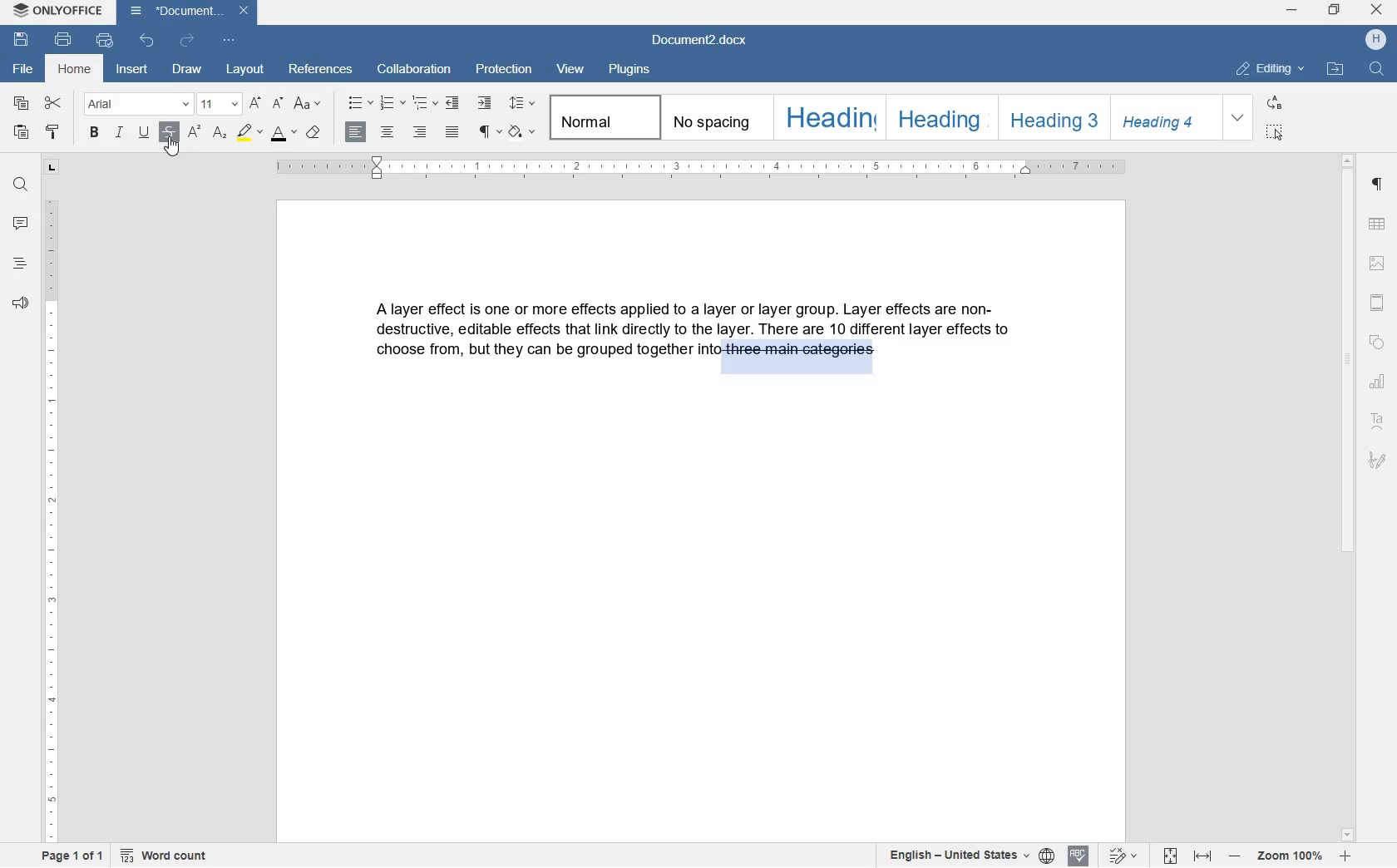 The width and height of the screenshot is (1397, 868). I want to click on view, so click(574, 68).